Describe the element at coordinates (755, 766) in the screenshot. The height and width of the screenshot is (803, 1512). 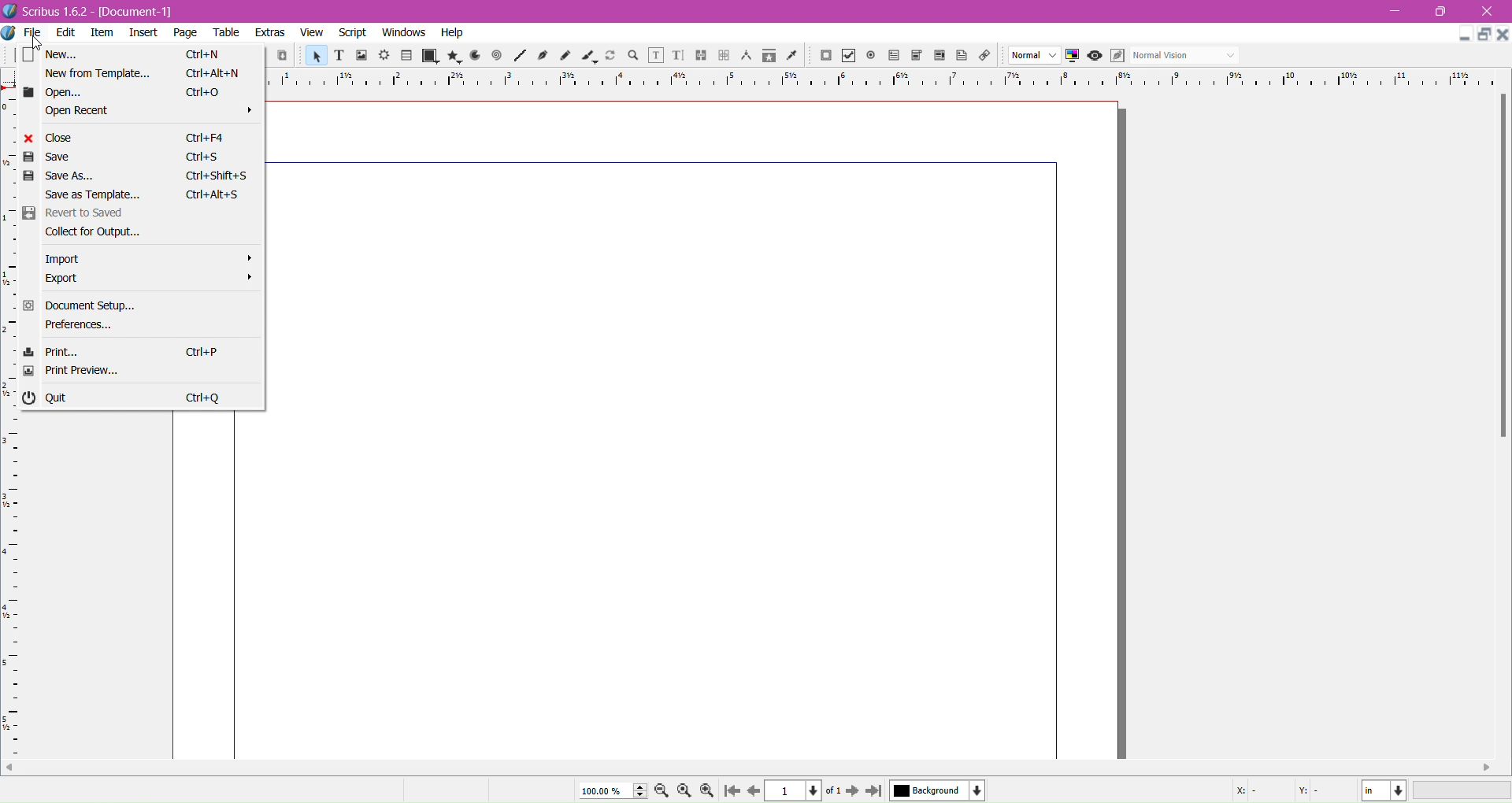
I see `Horizontal Scroll Bar` at that location.